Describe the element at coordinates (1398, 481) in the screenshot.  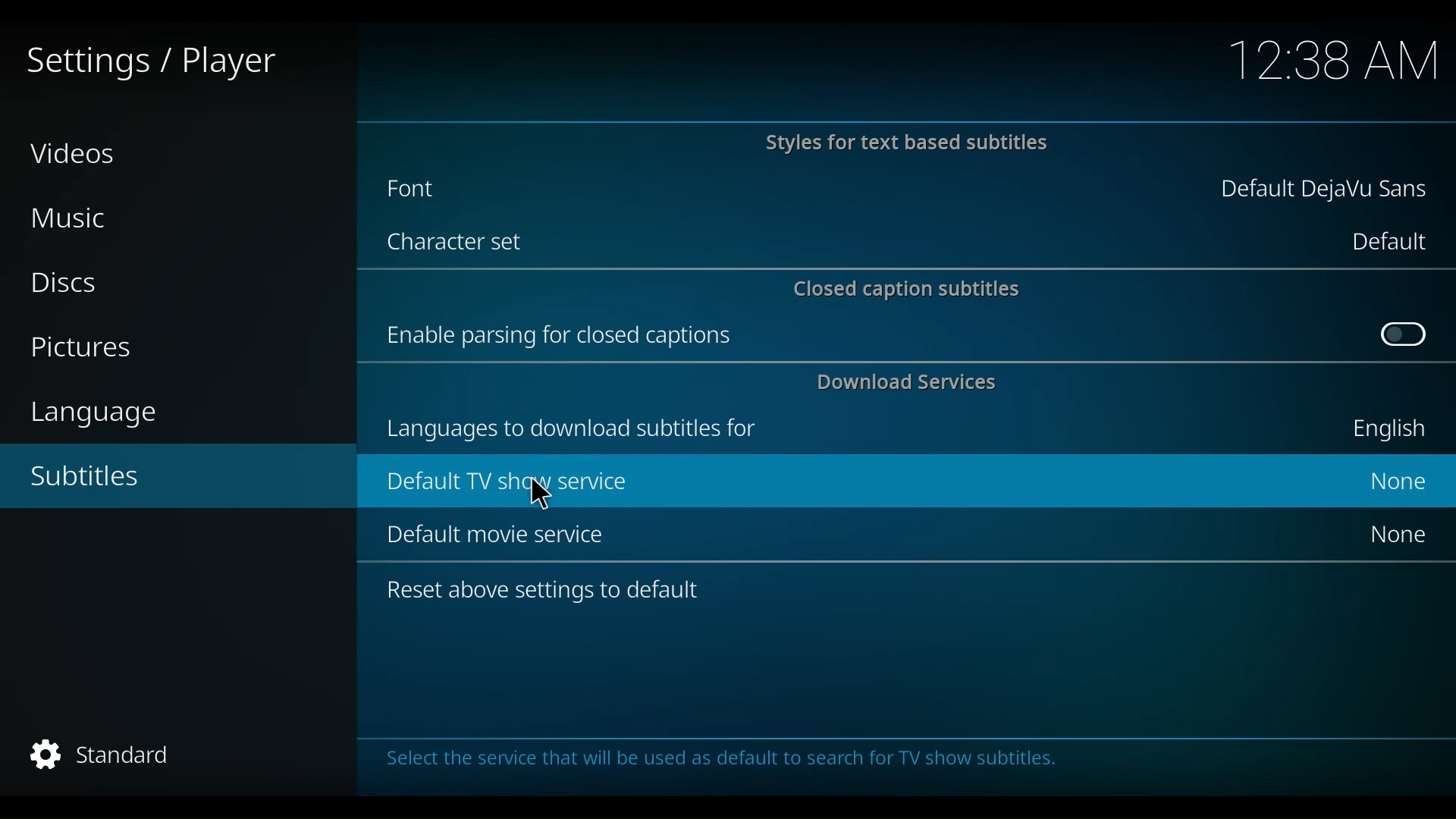
I see `None` at that location.